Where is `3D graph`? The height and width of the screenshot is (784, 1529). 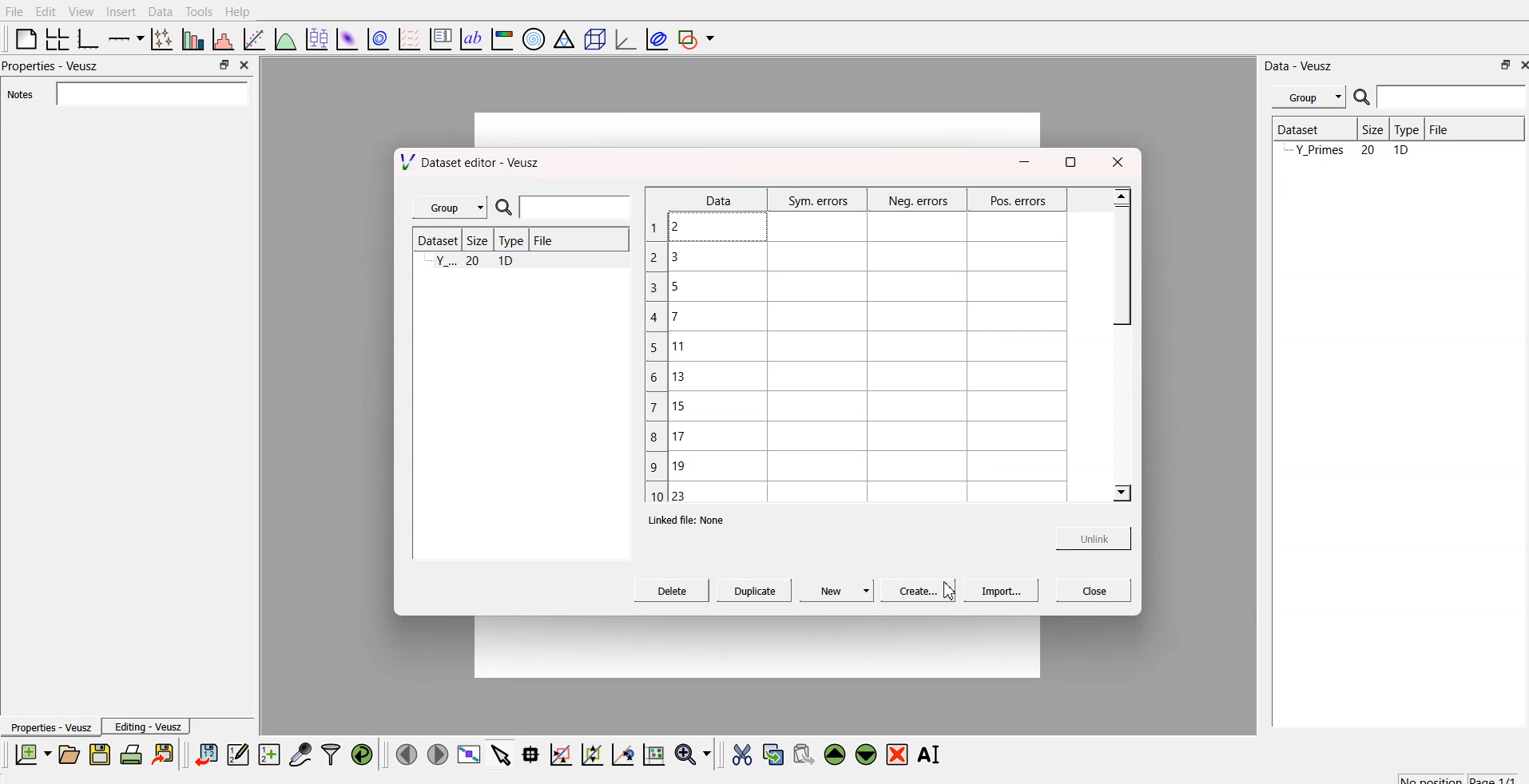
3D graph is located at coordinates (624, 39).